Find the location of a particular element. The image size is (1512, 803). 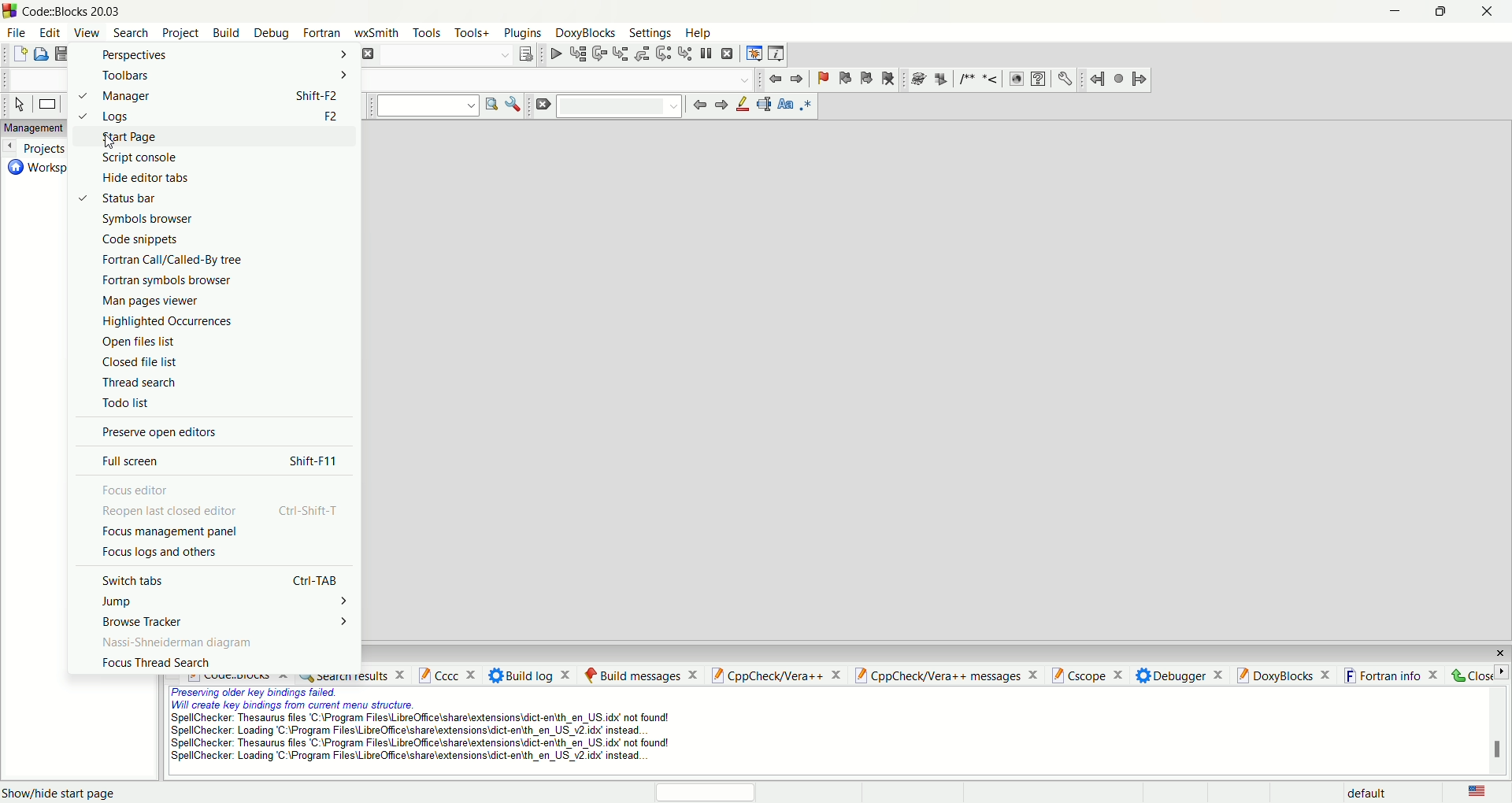

Cursor is located at coordinates (109, 139).